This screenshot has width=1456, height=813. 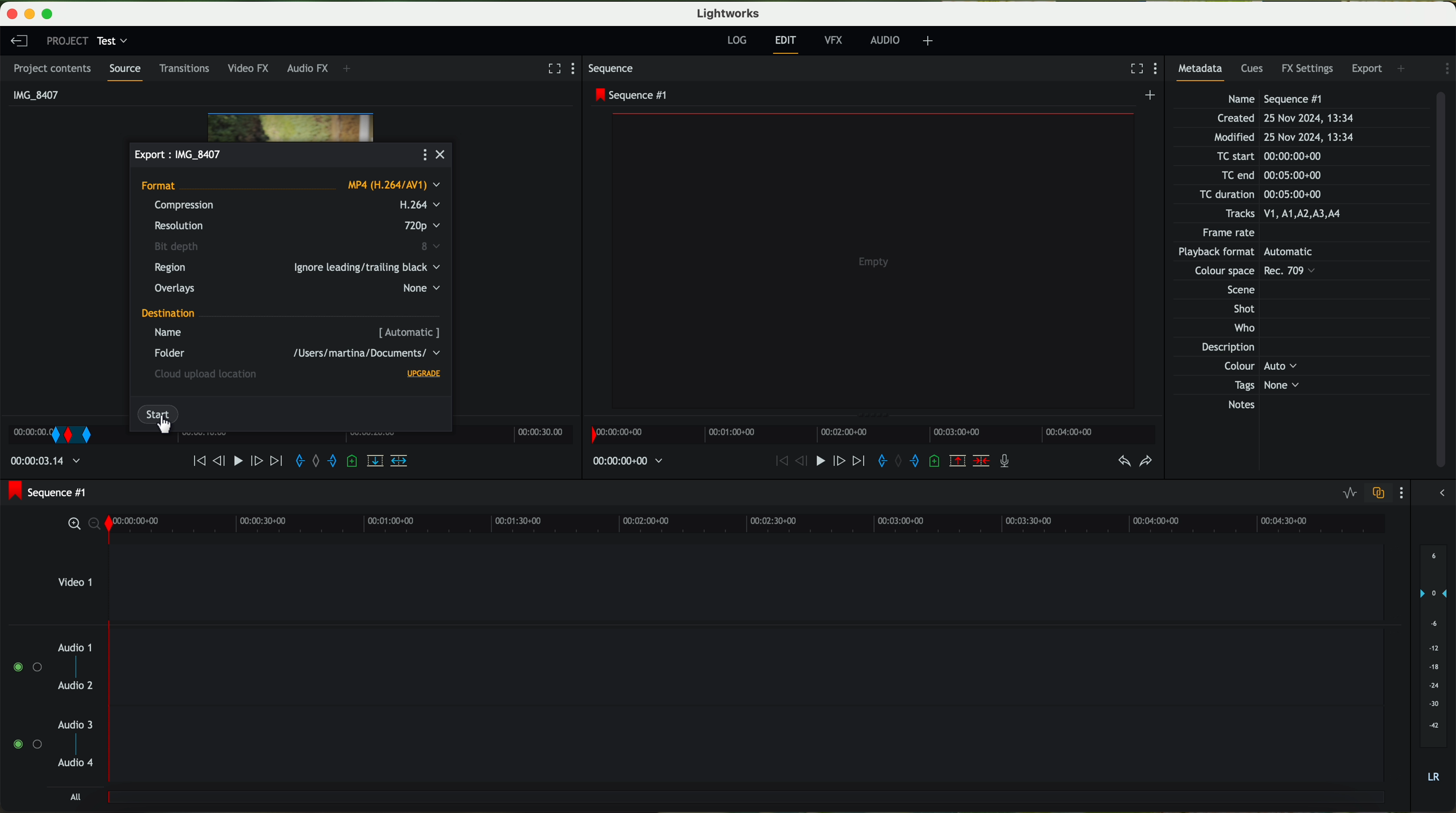 I want to click on source, so click(x=128, y=72).